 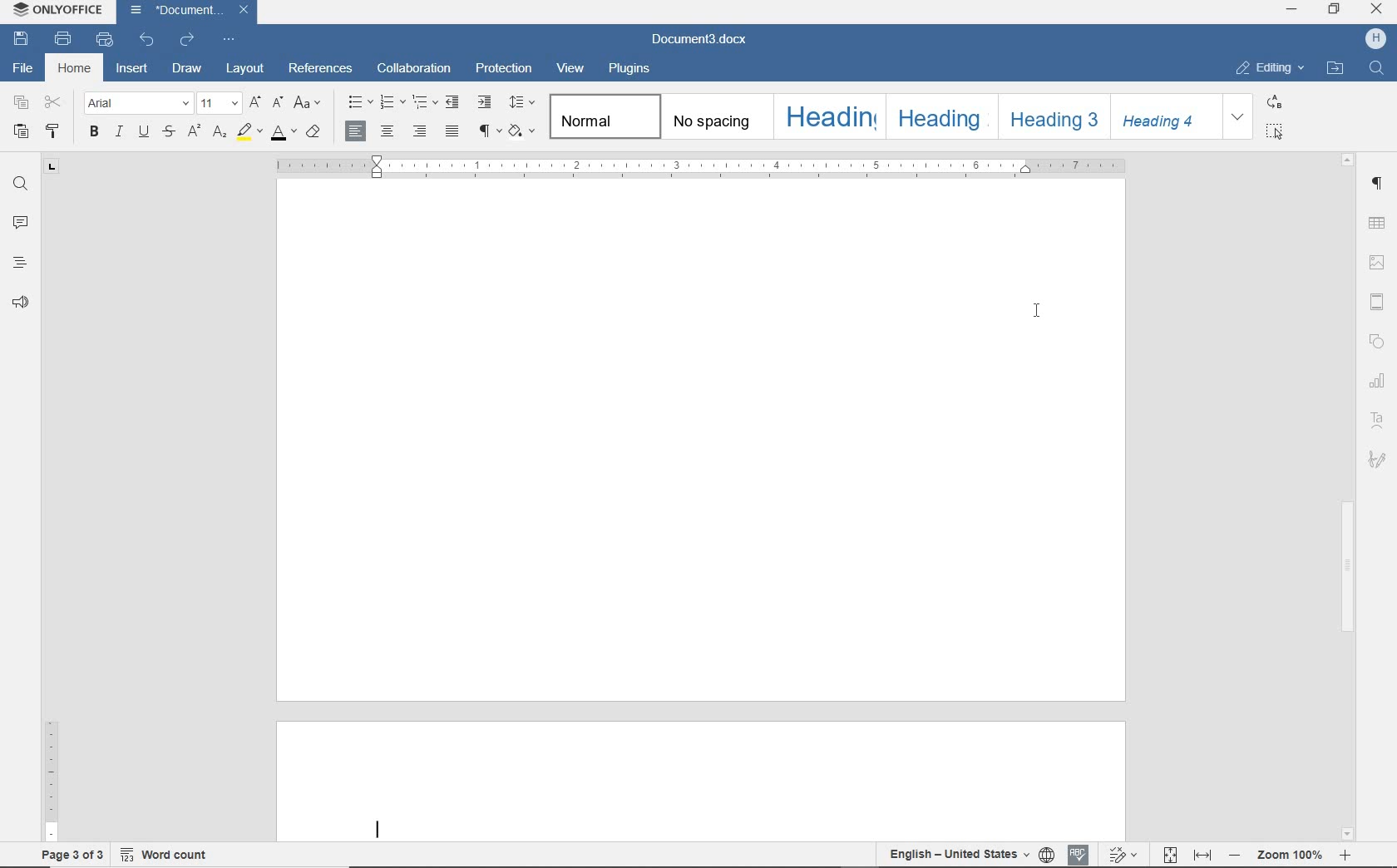 What do you see at coordinates (255, 101) in the screenshot?
I see `INCREASE FONT SIZE` at bounding box center [255, 101].